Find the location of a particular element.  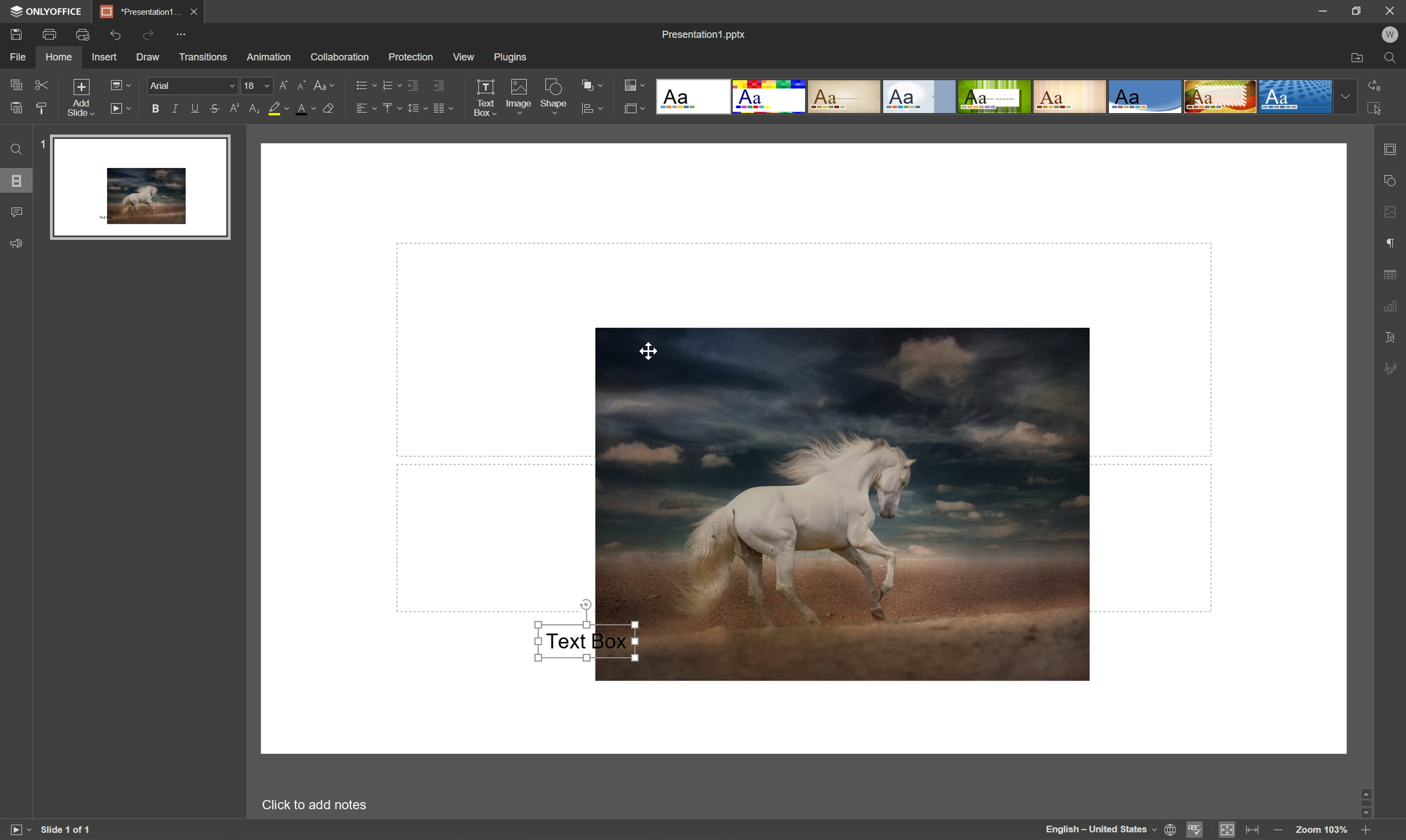

Collaboration is located at coordinates (340, 59).